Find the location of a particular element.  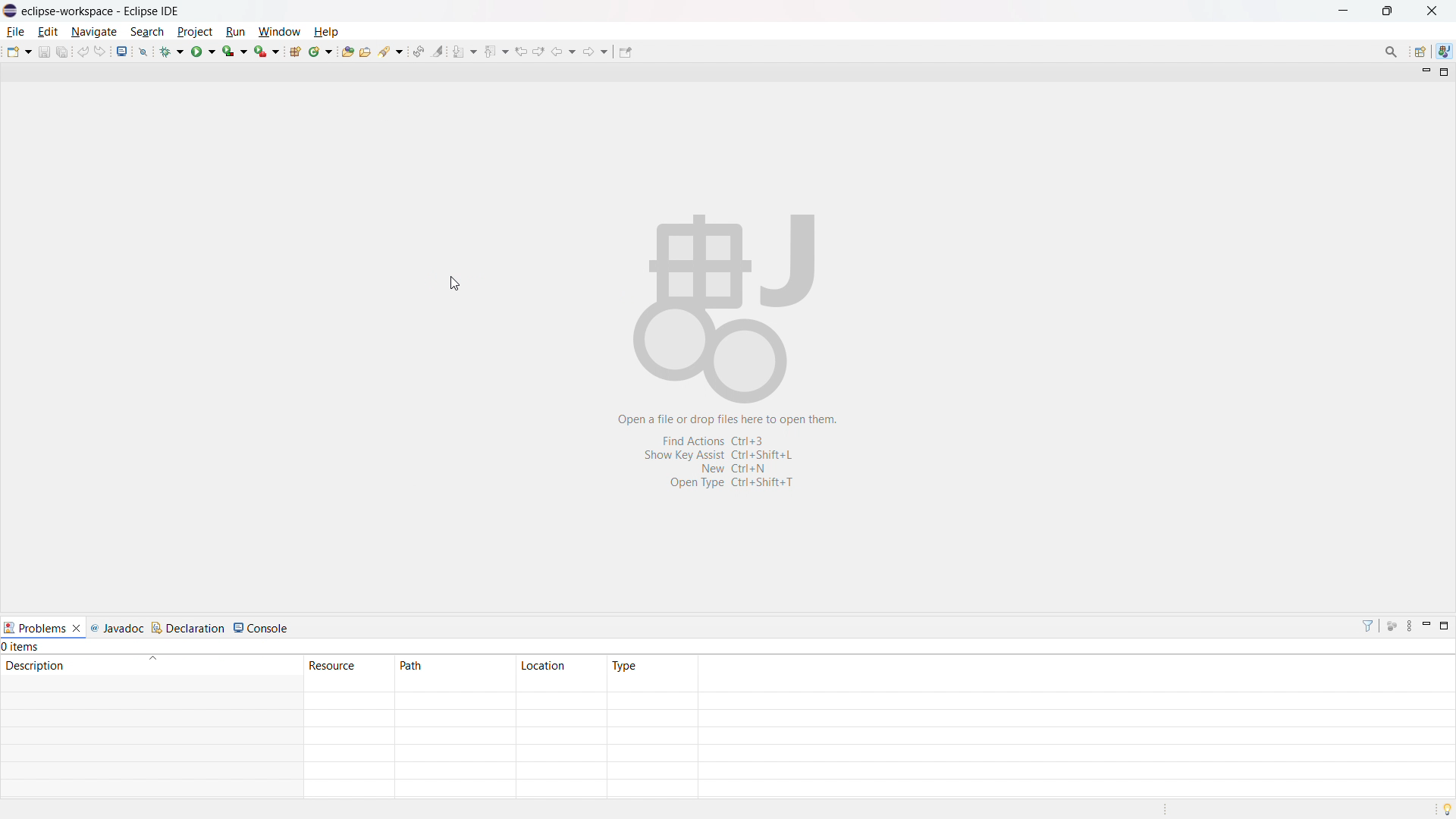

run is located at coordinates (236, 32).